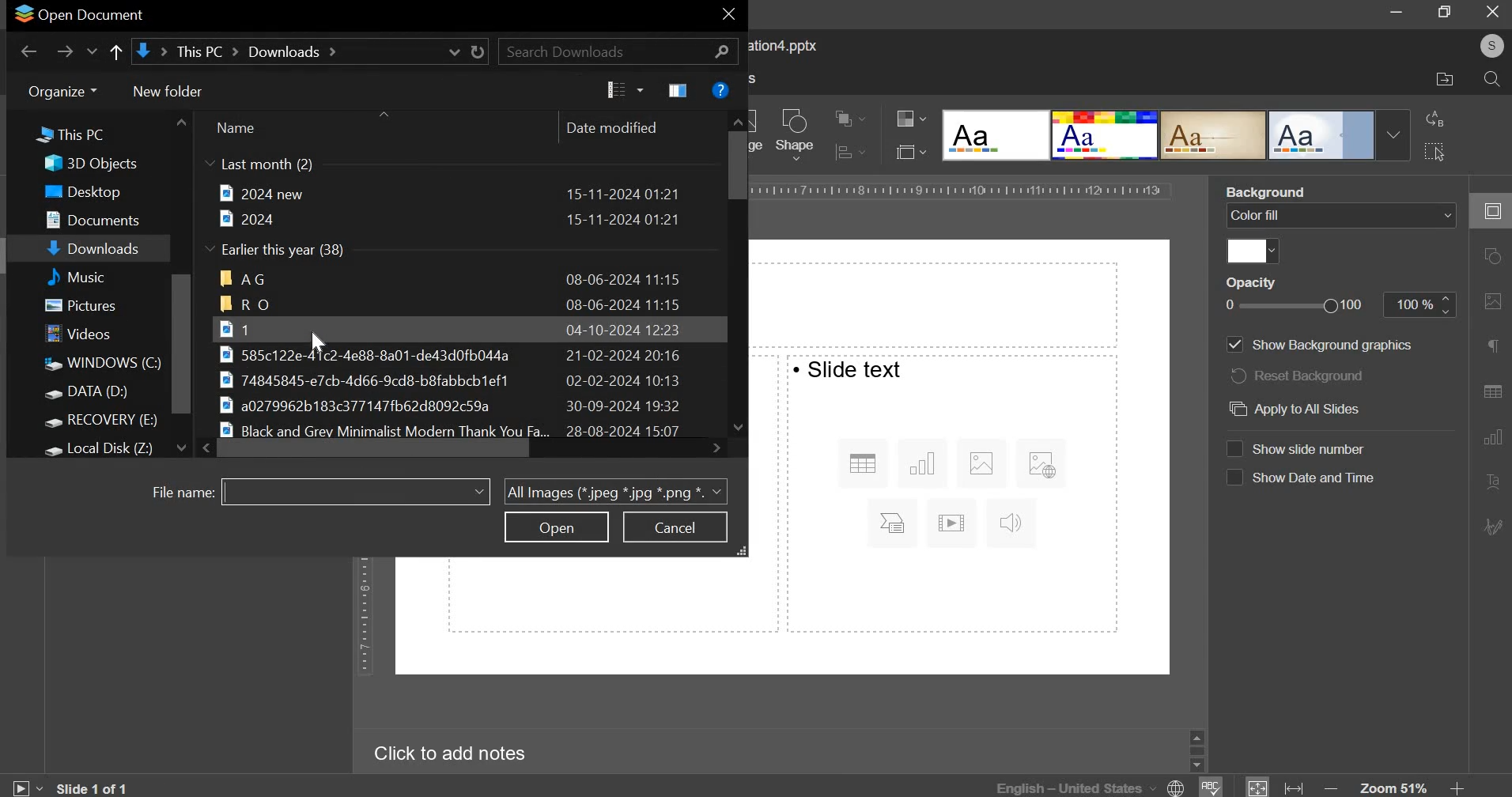 The width and height of the screenshot is (1512, 797). I want to click on recent locations, so click(93, 54).